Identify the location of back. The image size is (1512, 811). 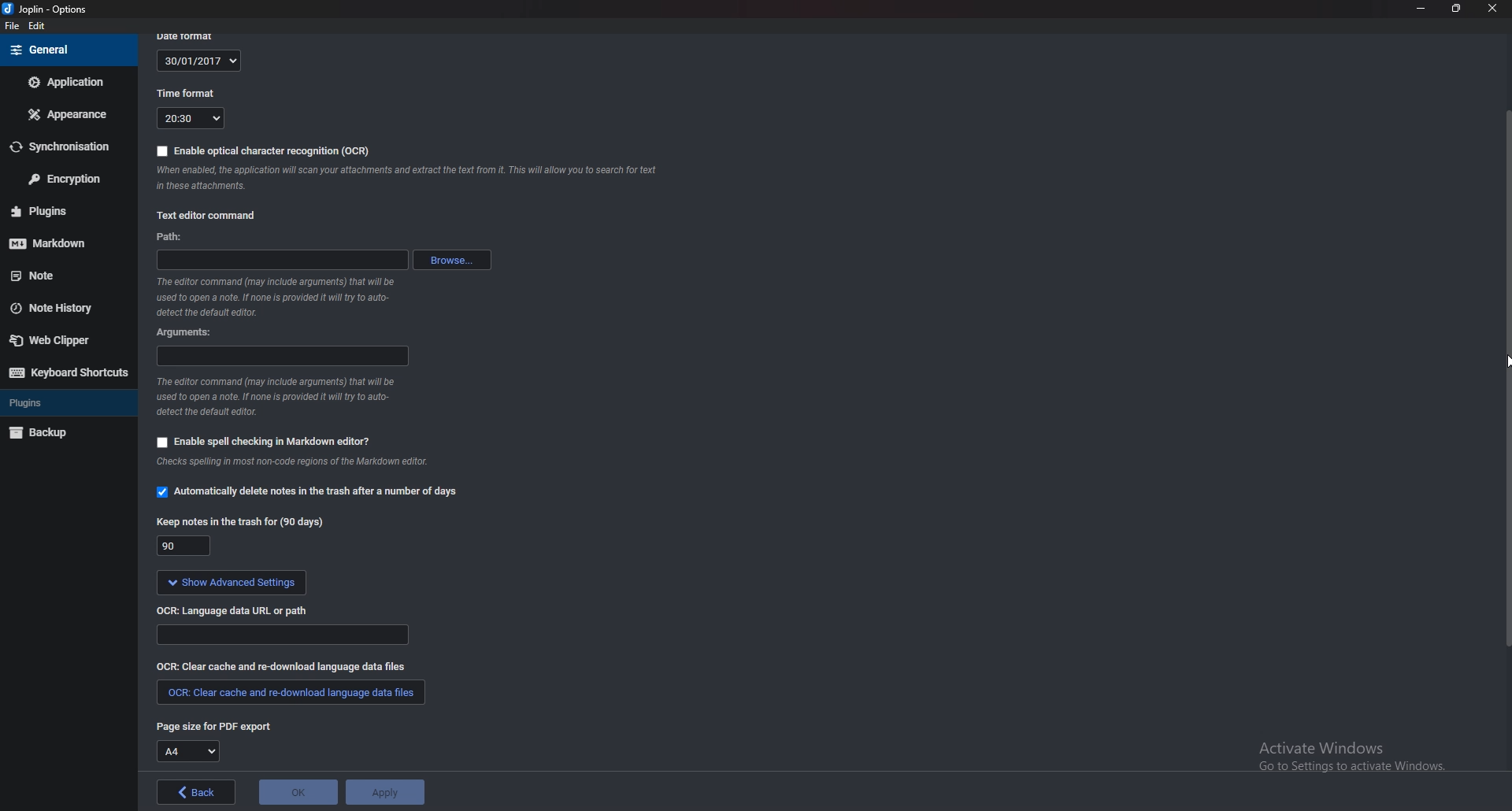
(195, 792).